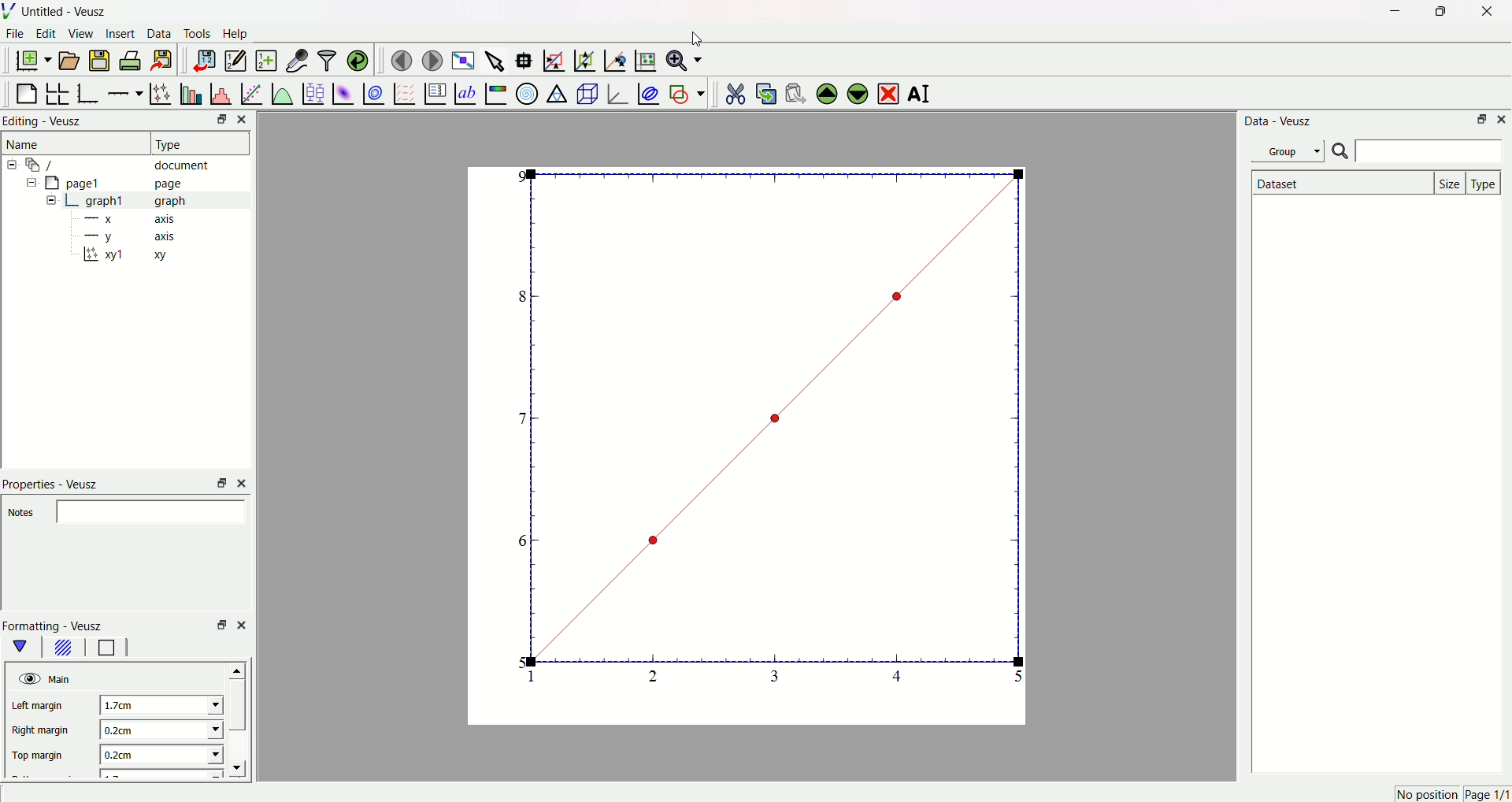 This screenshot has height=802, width=1512. I want to click on import datasets, so click(204, 60).